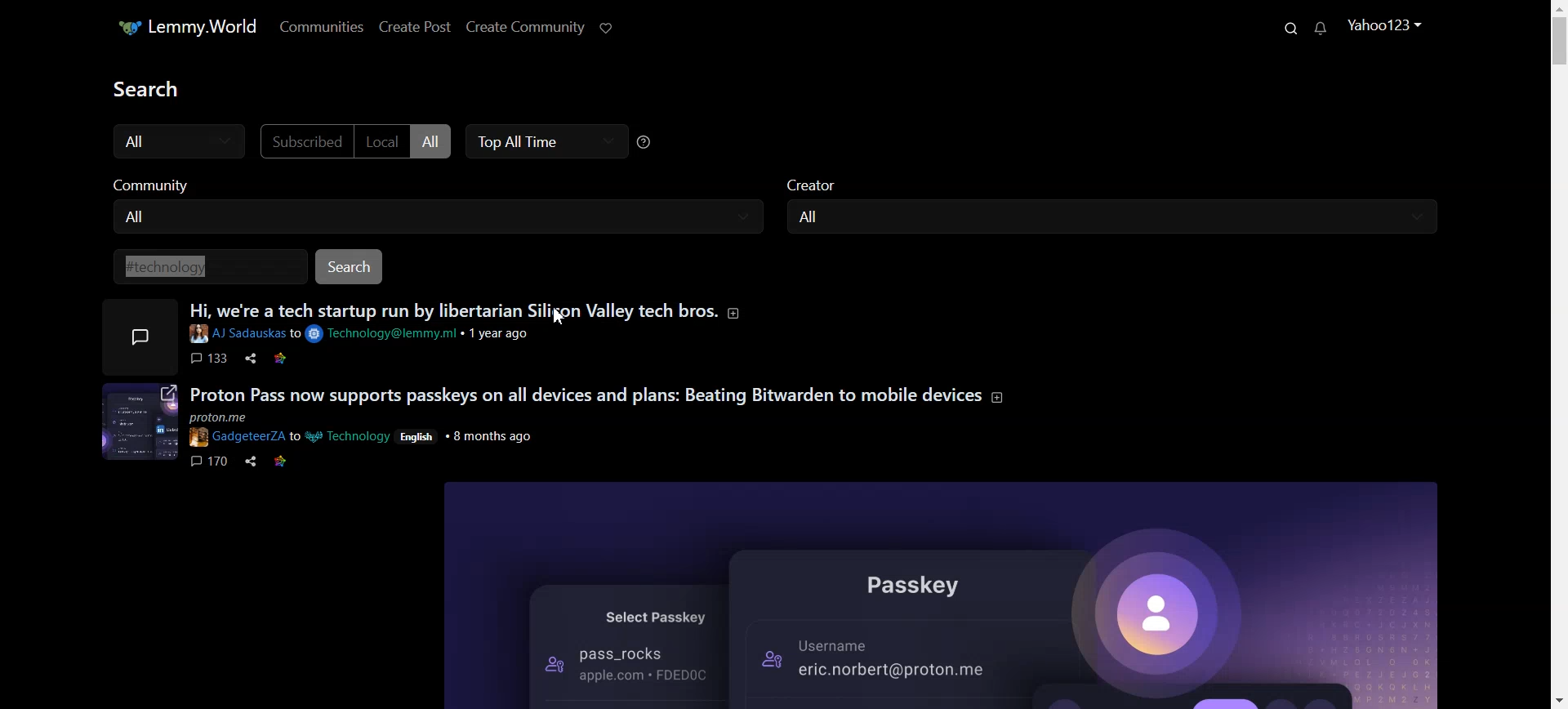 The width and height of the screenshot is (1568, 709). What do you see at coordinates (1290, 29) in the screenshot?
I see `Search` at bounding box center [1290, 29].